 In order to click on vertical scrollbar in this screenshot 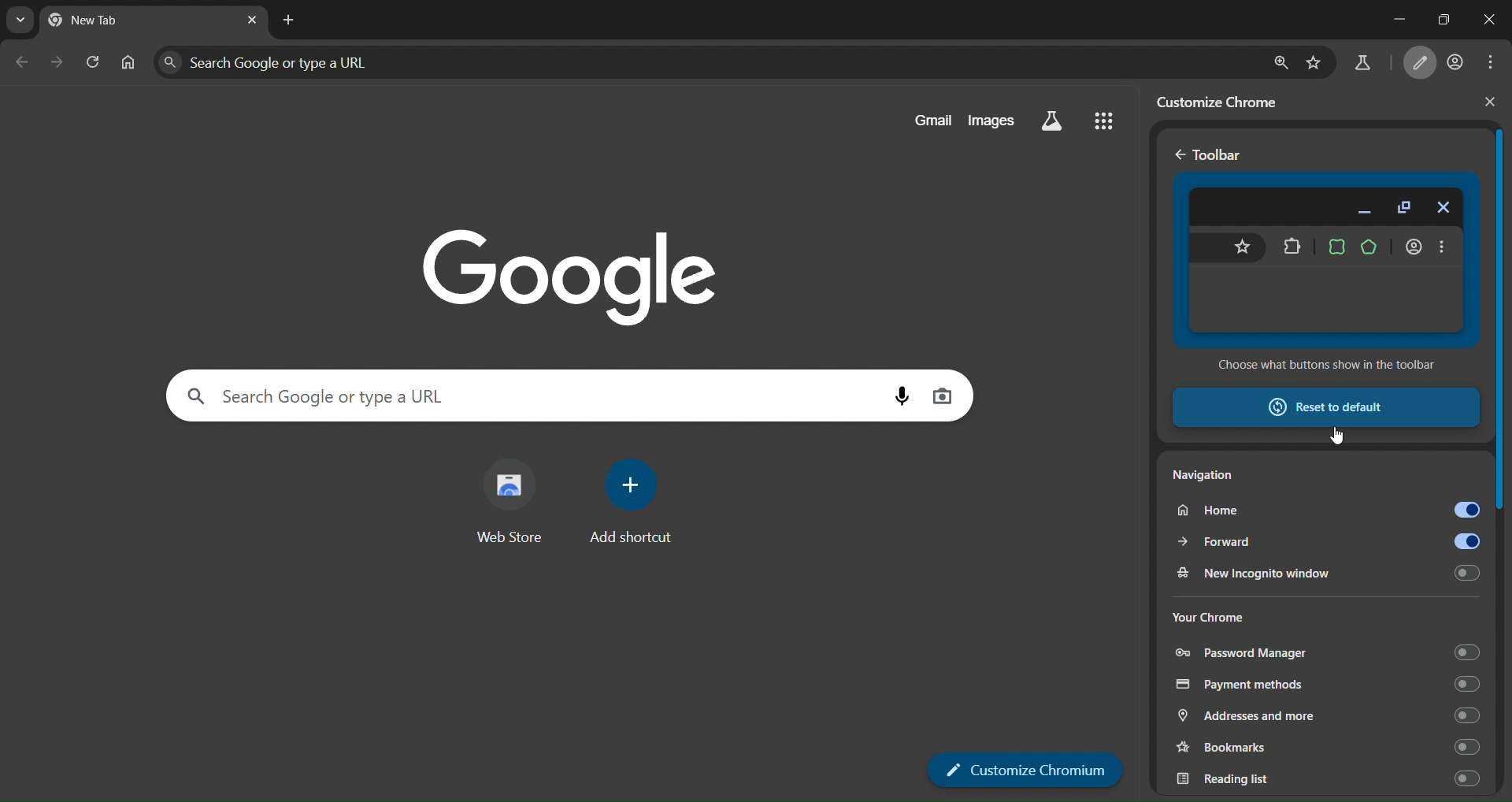, I will do `click(1501, 454)`.